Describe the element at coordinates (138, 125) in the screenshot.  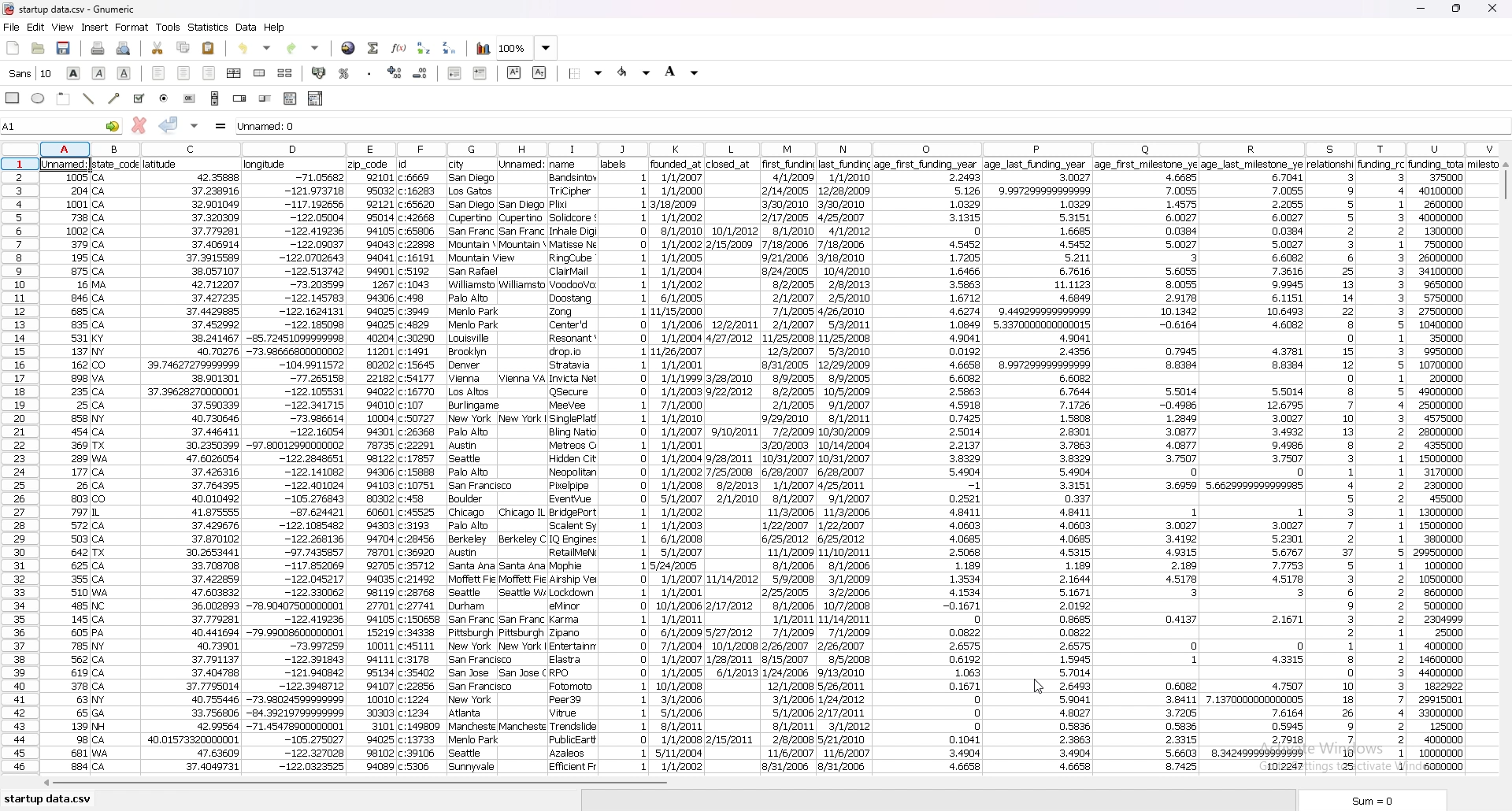
I see `cancel changes` at that location.